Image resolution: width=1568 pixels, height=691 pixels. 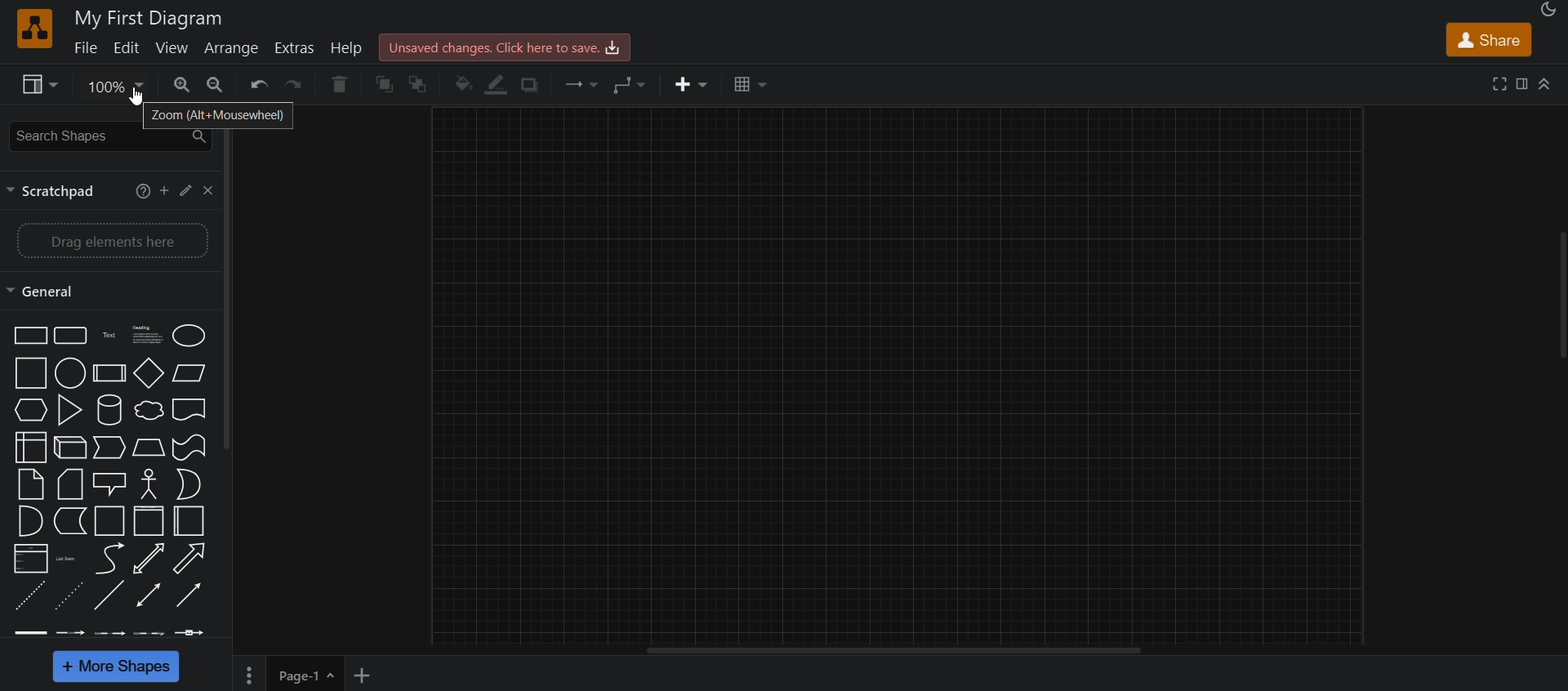 I want to click on new page, so click(x=363, y=672).